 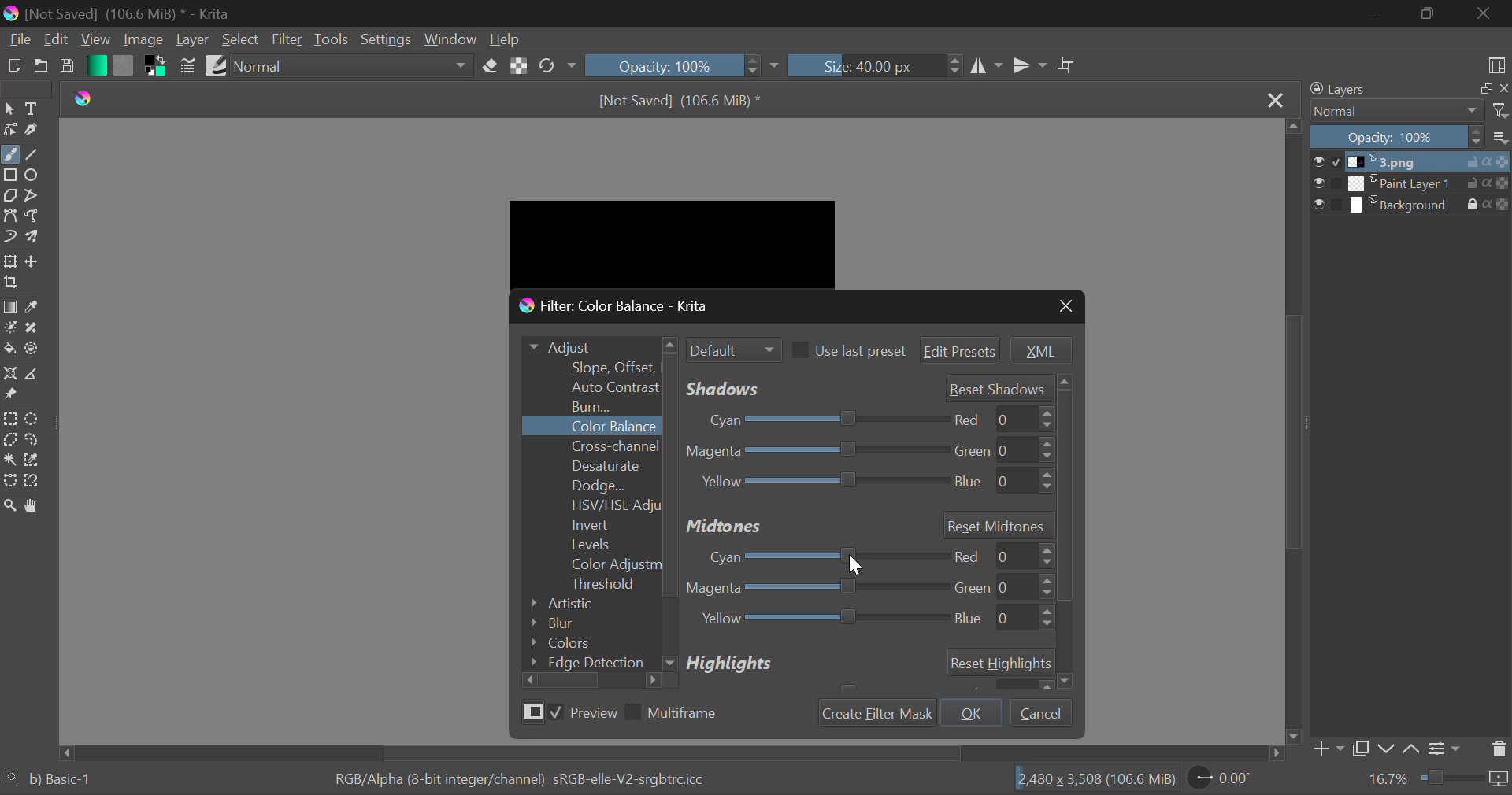 I want to click on Line, so click(x=35, y=155).